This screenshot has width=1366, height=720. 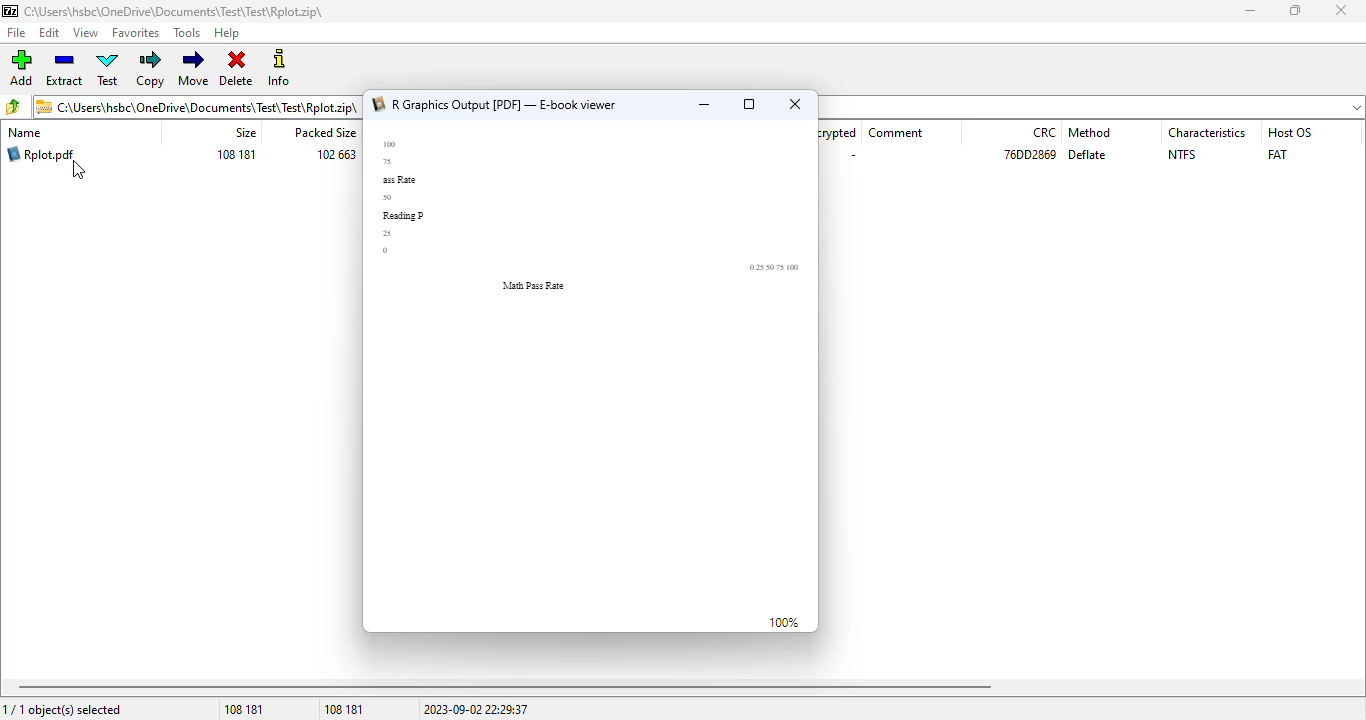 I want to click on cursor, so click(x=79, y=170).